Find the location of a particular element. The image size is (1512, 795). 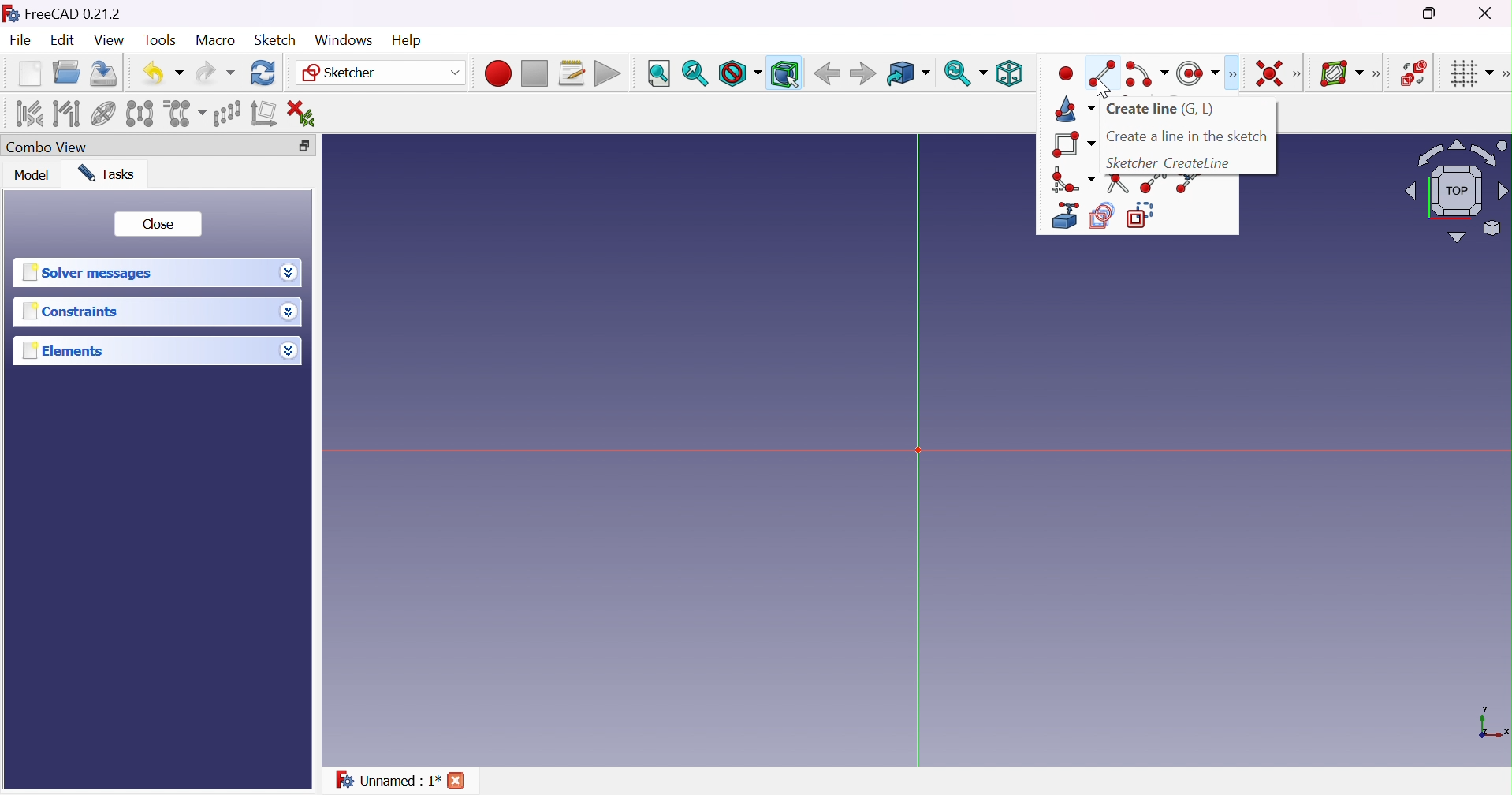

Split edge is located at coordinates (1188, 185).